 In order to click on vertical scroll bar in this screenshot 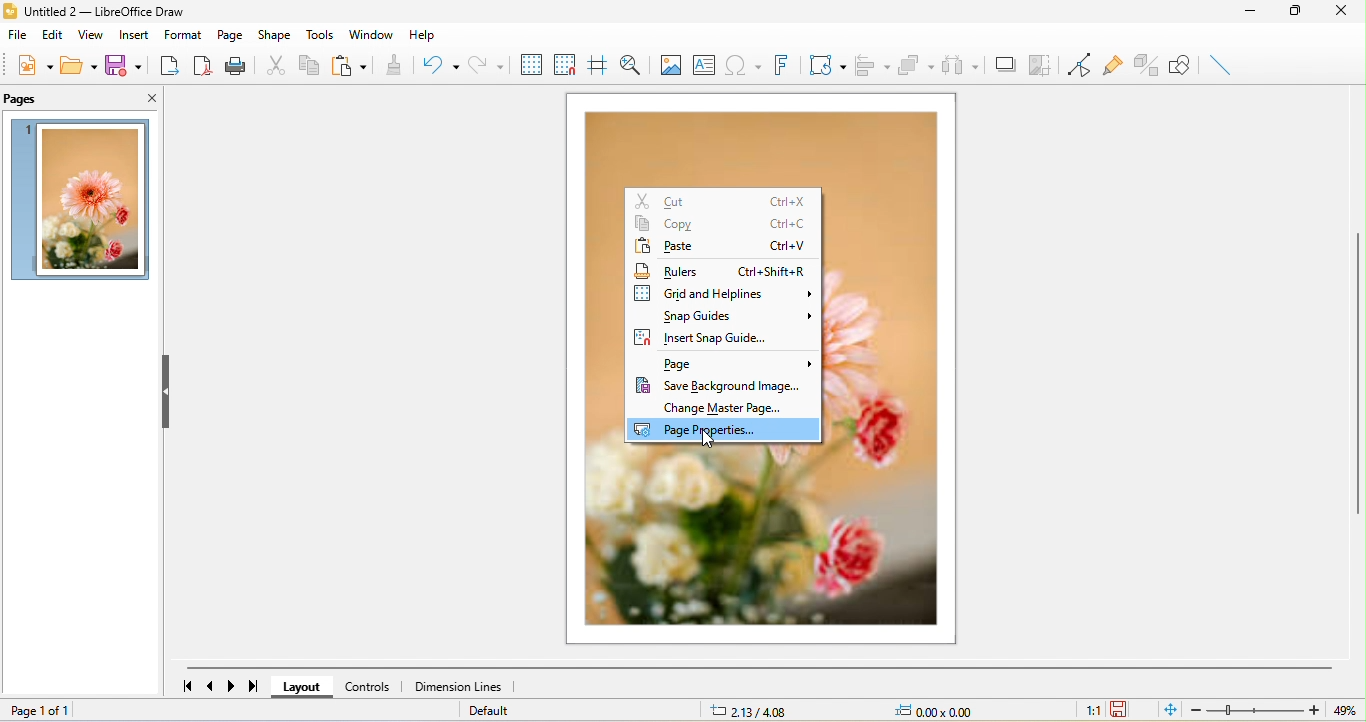, I will do `click(1357, 371)`.